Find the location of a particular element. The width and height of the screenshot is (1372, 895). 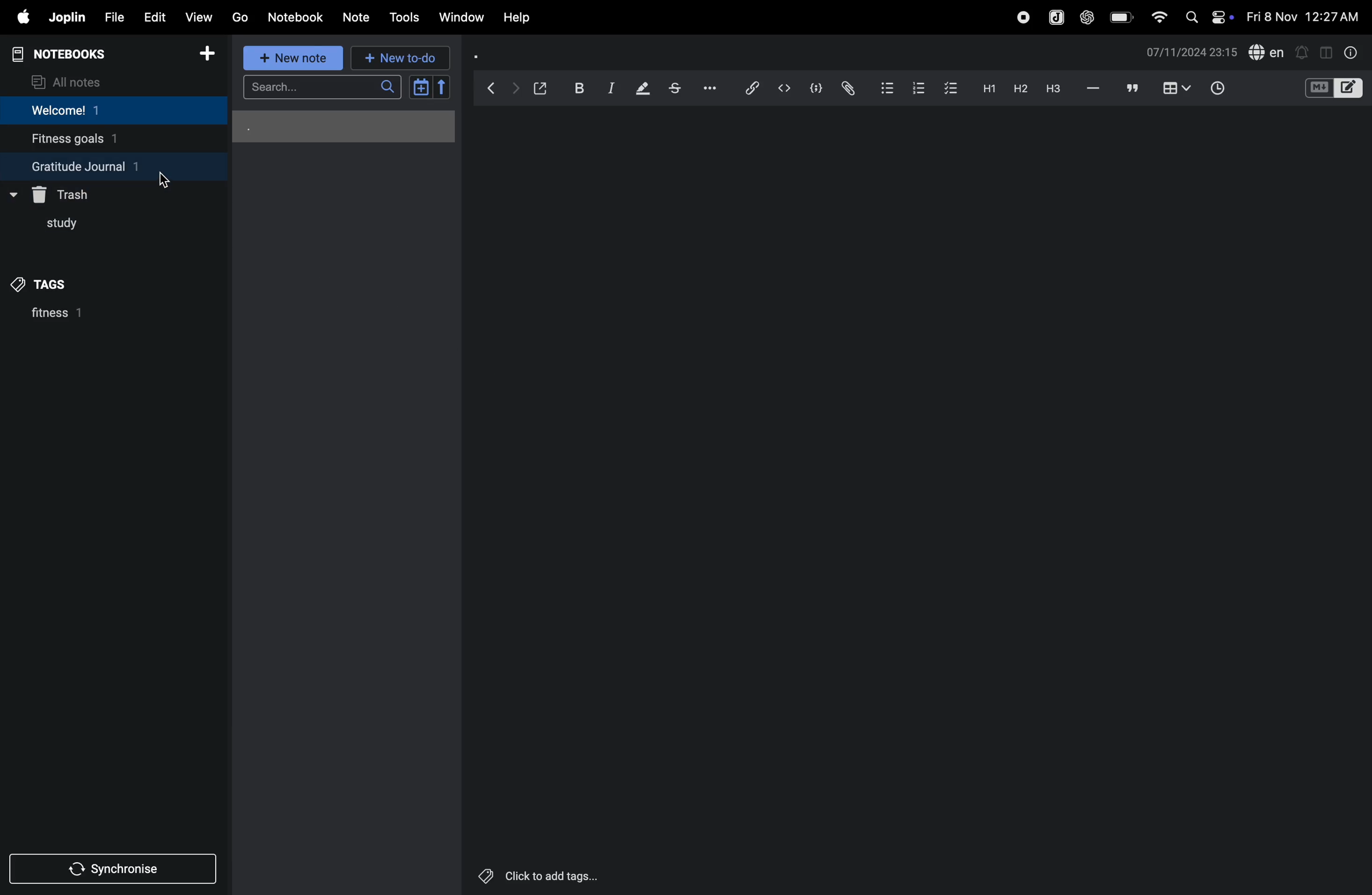

open file is located at coordinates (541, 87).